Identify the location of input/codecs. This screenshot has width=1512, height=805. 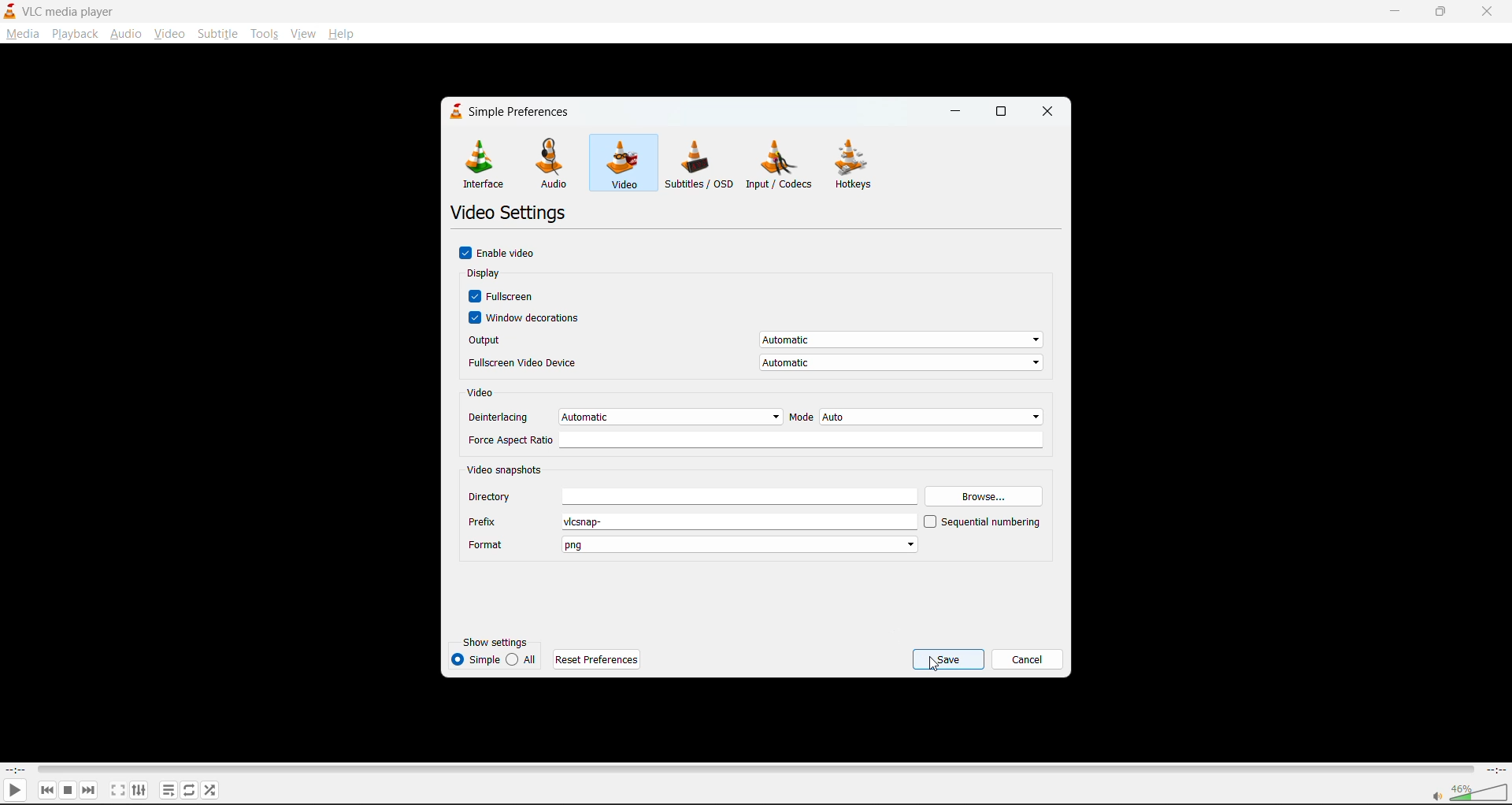
(781, 165).